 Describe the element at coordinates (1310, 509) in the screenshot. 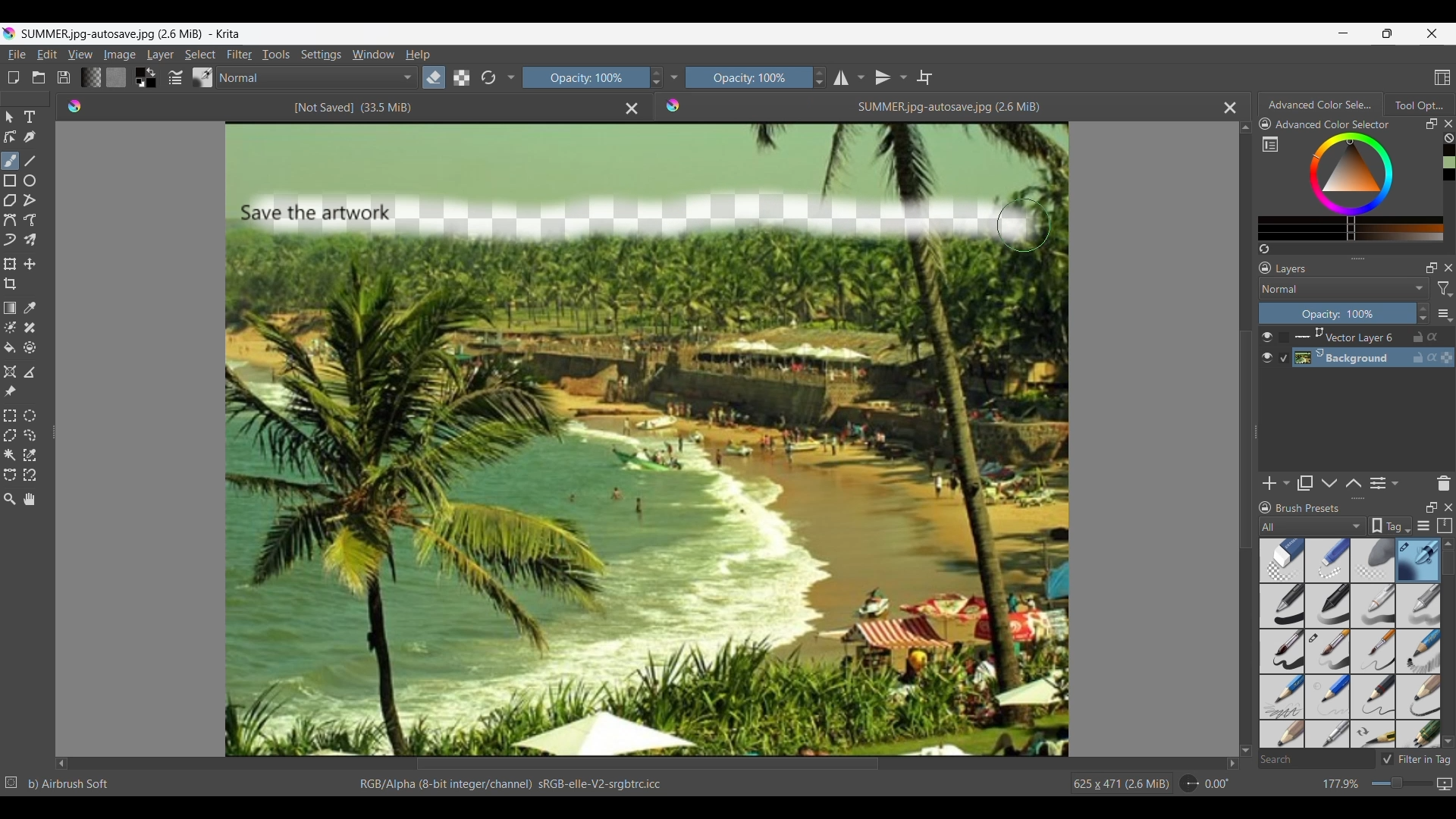

I see `Brush Presets` at that location.